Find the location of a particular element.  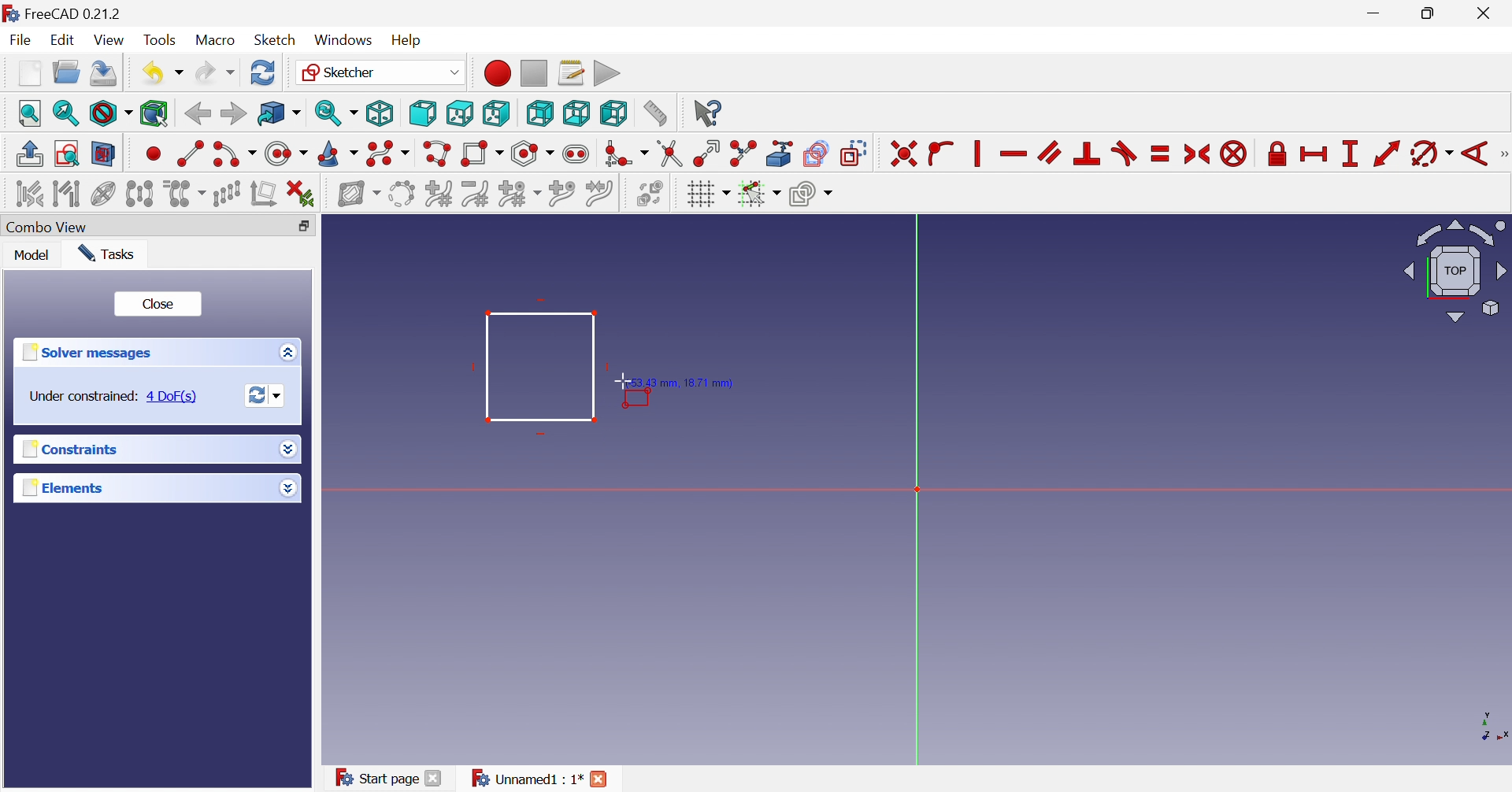

Drop down is located at coordinates (287, 489).